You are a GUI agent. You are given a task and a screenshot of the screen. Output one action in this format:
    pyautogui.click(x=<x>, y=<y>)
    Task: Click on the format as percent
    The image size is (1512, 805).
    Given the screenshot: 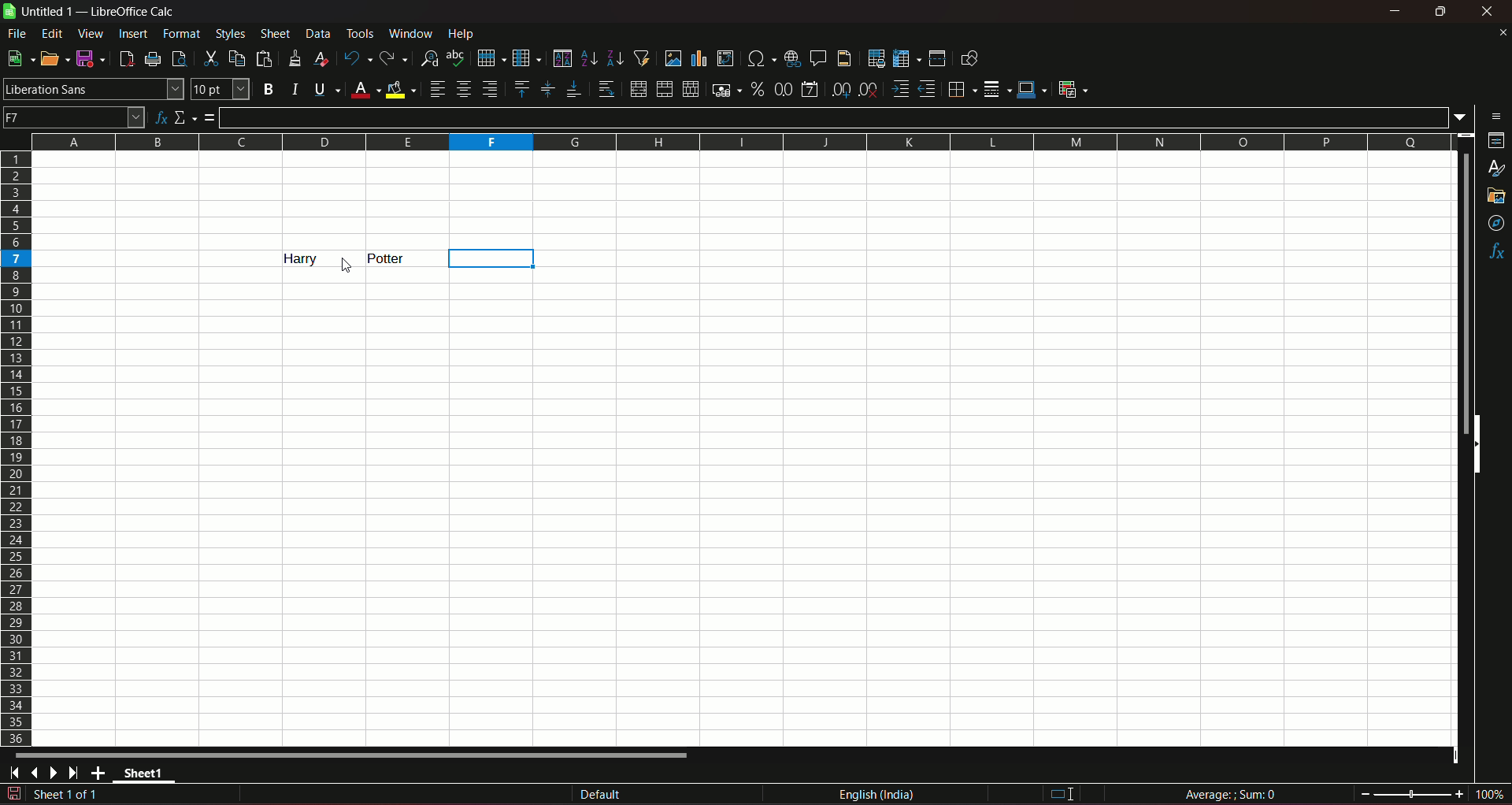 What is the action you would take?
    pyautogui.click(x=757, y=88)
    